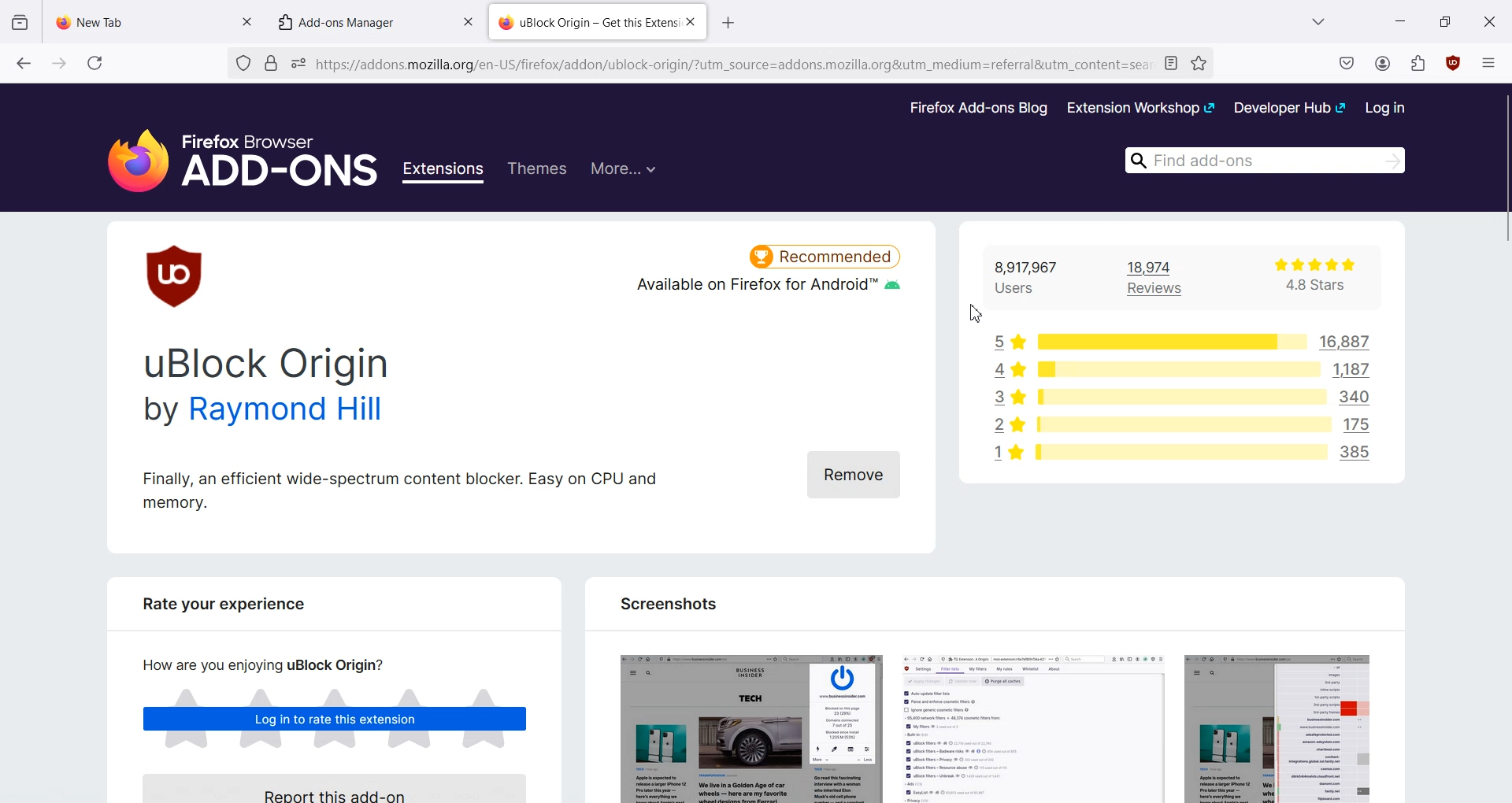 This screenshot has width=1512, height=803. I want to click on Cursor, so click(972, 316).